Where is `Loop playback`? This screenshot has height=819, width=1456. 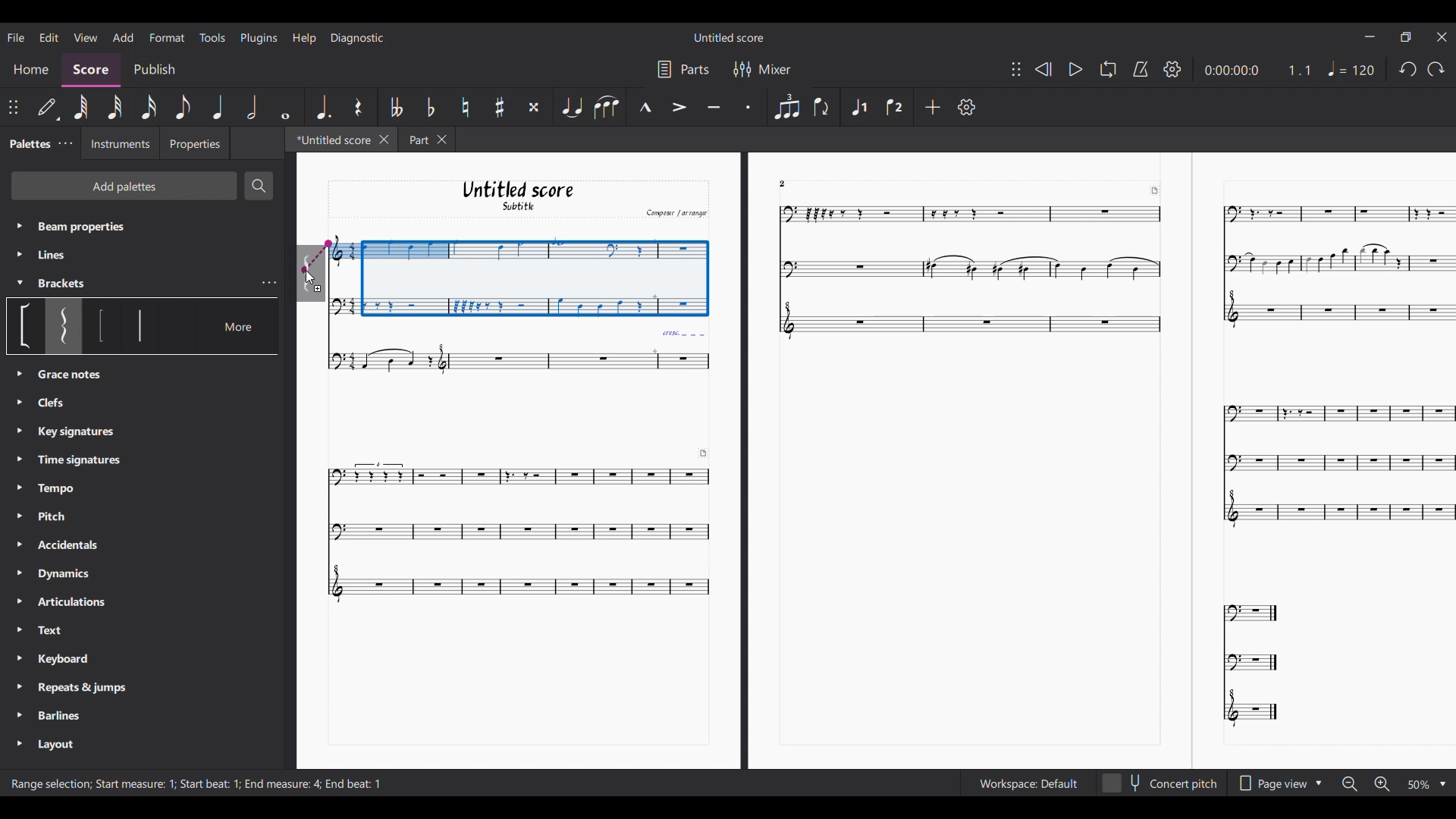 Loop playback is located at coordinates (1107, 70).